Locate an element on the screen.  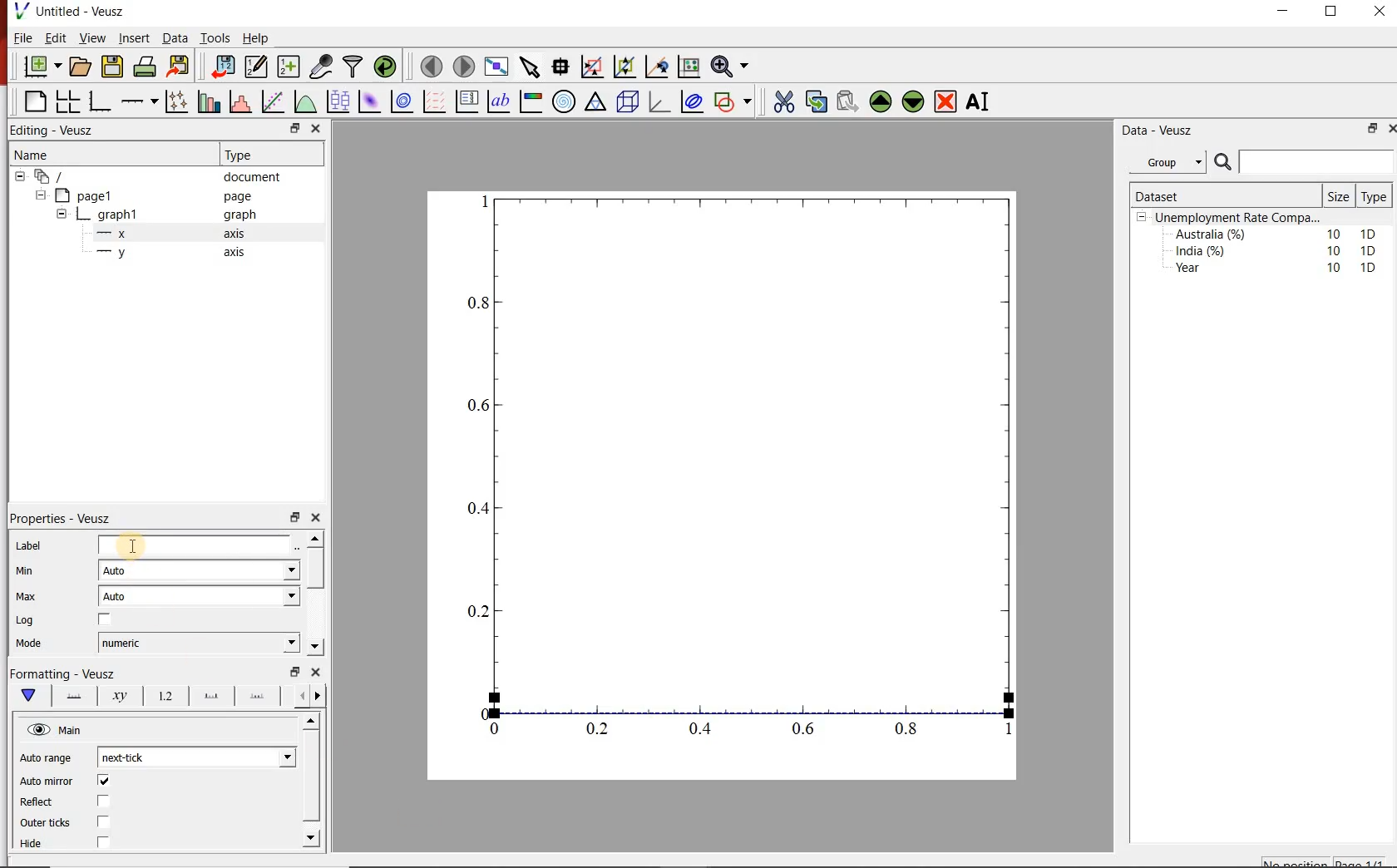
add a shapes is located at coordinates (733, 101).